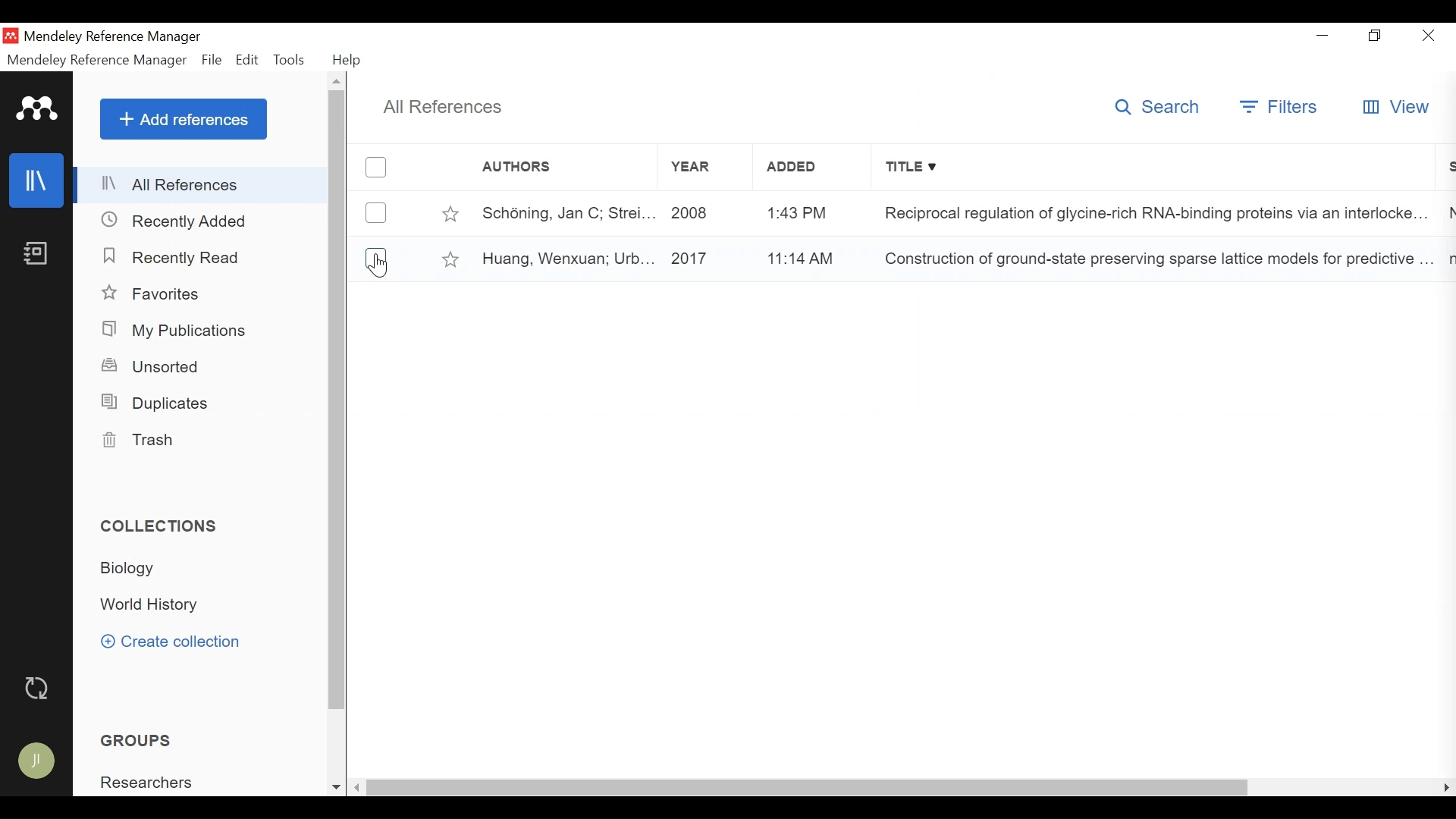  What do you see at coordinates (375, 168) in the screenshot?
I see `(un)select` at bounding box center [375, 168].